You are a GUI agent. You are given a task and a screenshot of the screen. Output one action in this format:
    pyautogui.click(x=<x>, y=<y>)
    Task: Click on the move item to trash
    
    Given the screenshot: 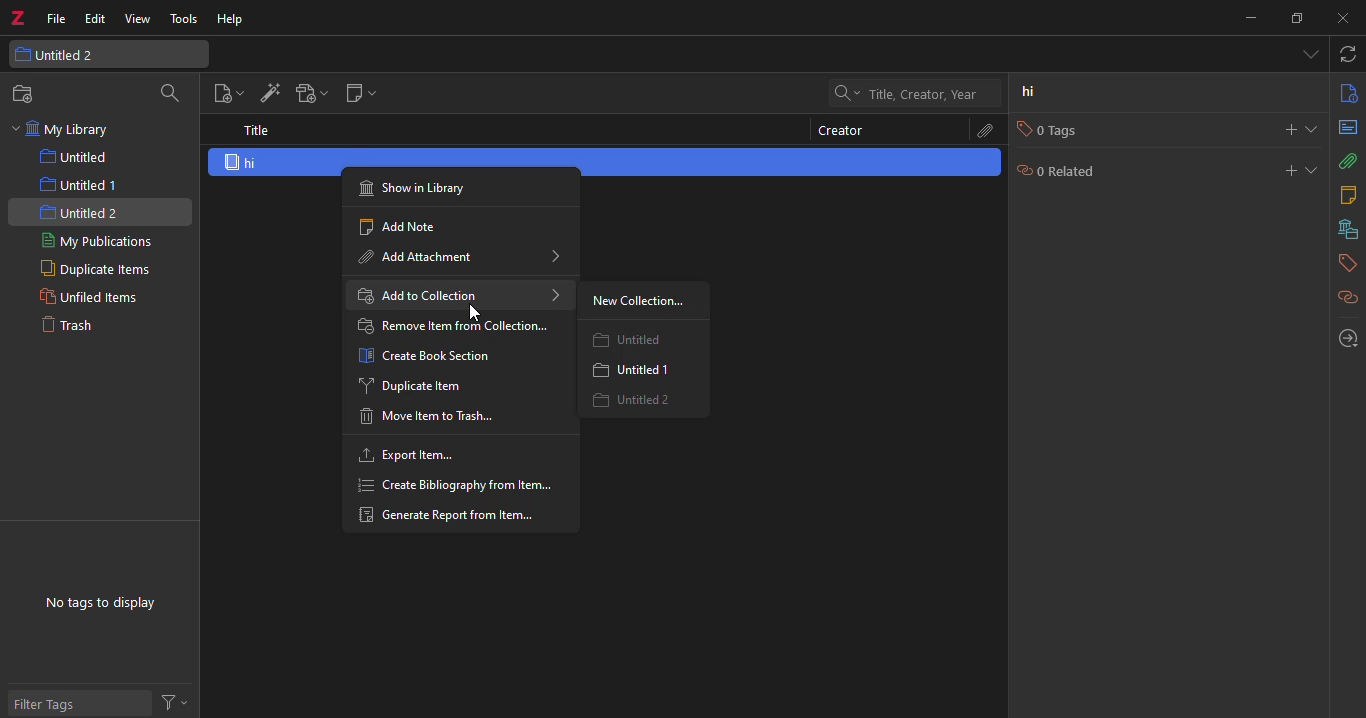 What is the action you would take?
    pyautogui.click(x=424, y=419)
    